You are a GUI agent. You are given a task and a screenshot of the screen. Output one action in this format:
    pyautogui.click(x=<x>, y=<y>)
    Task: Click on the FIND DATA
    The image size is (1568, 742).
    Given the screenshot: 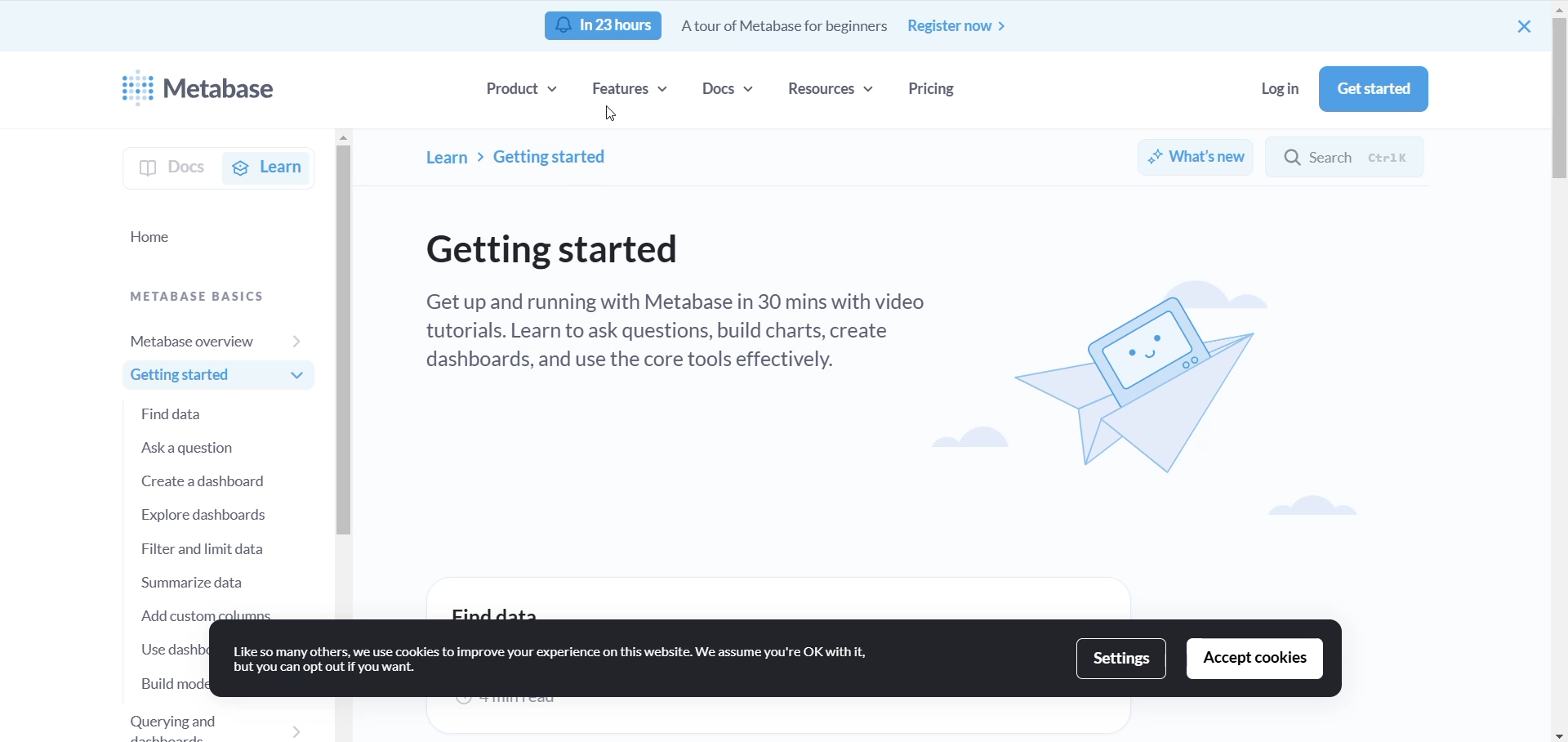 What is the action you would take?
    pyautogui.click(x=207, y=416)
    